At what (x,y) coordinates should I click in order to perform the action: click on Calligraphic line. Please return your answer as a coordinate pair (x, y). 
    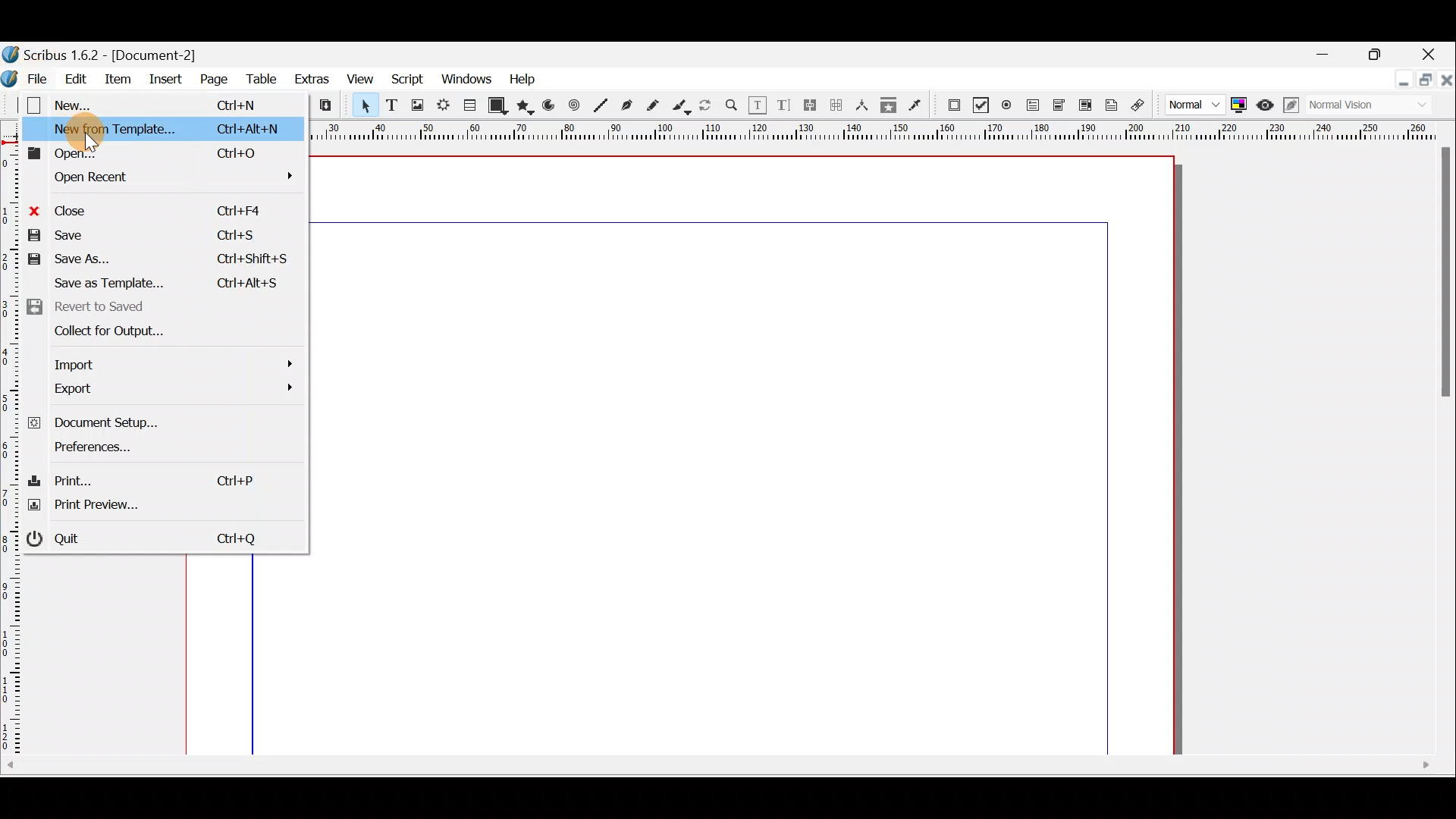
    Looking at the image, I should click on (683, 107).